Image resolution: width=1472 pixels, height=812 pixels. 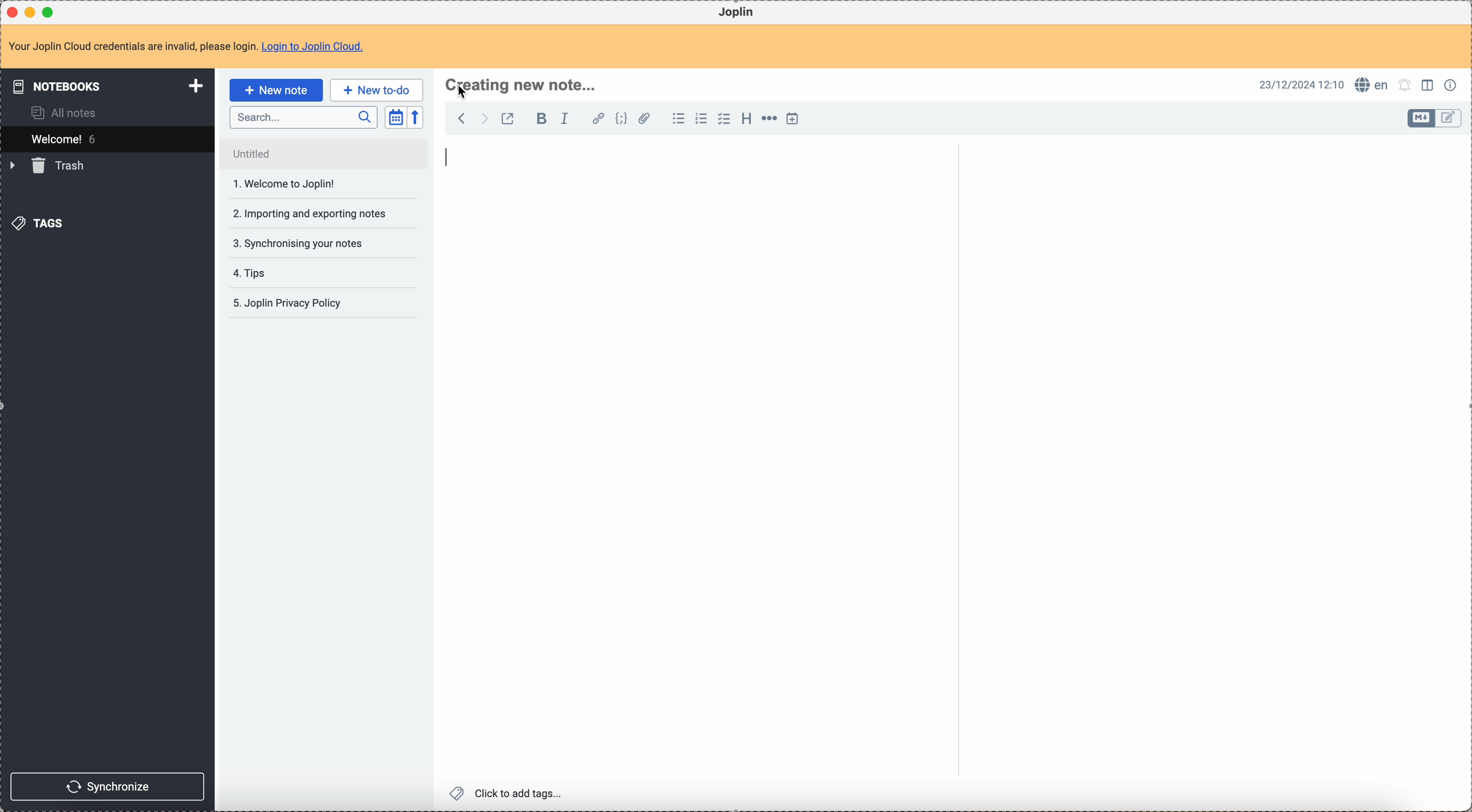 I want to click on insert time, so click(x=792, y=119).